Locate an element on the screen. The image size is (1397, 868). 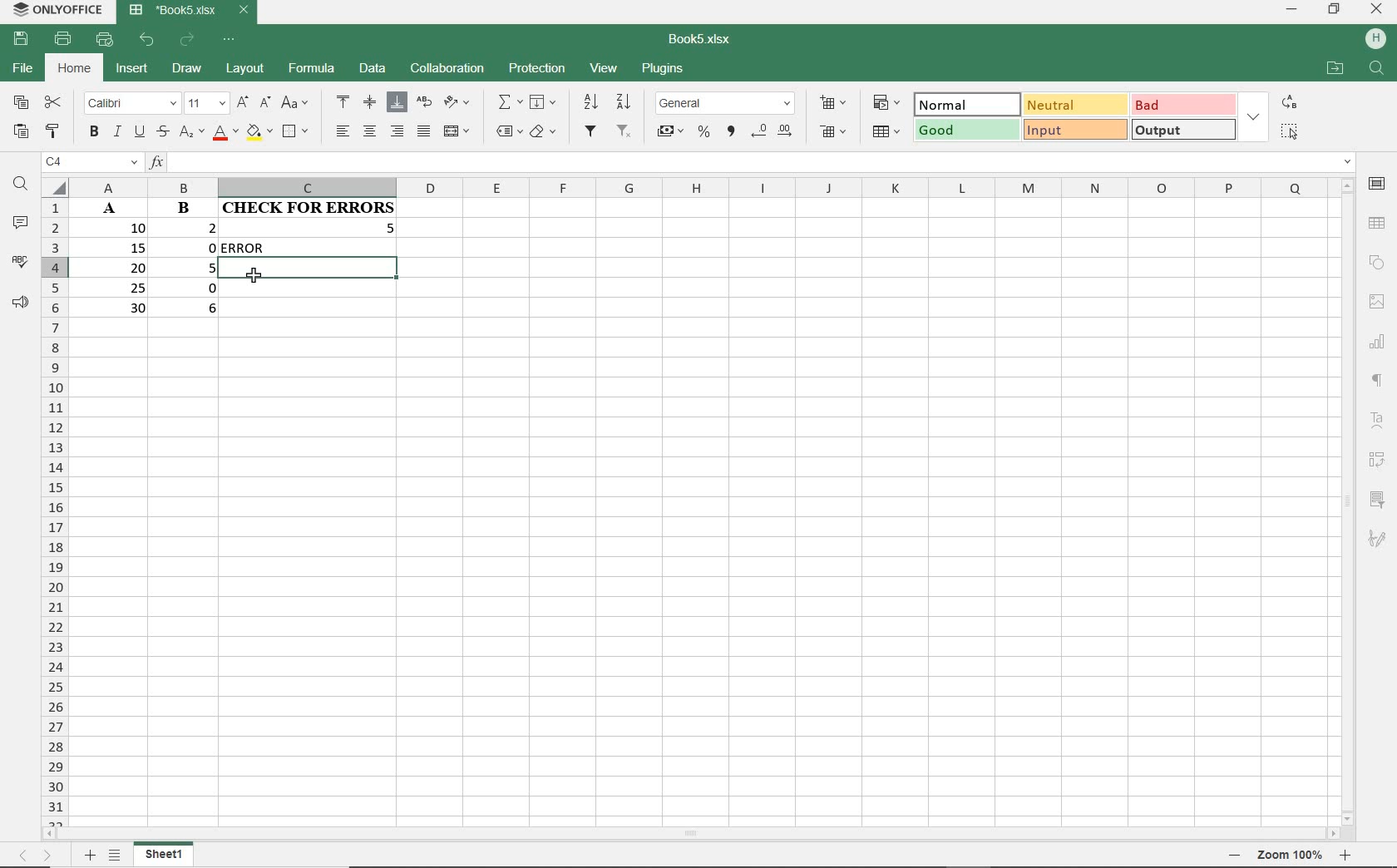
MERGE & CENTER is located at coordinates (457, 131).